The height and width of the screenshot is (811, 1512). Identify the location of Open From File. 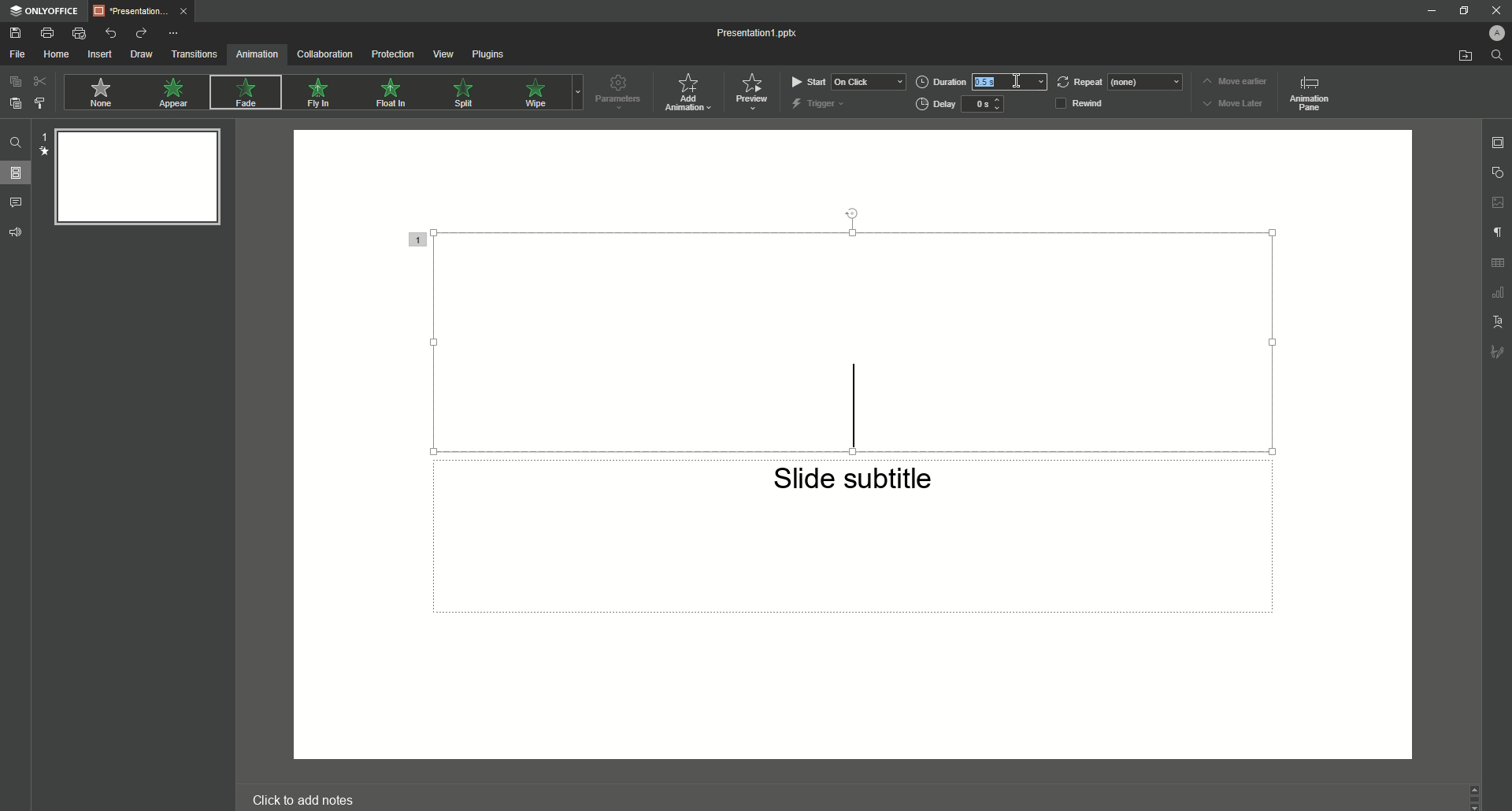
(1463, 55).